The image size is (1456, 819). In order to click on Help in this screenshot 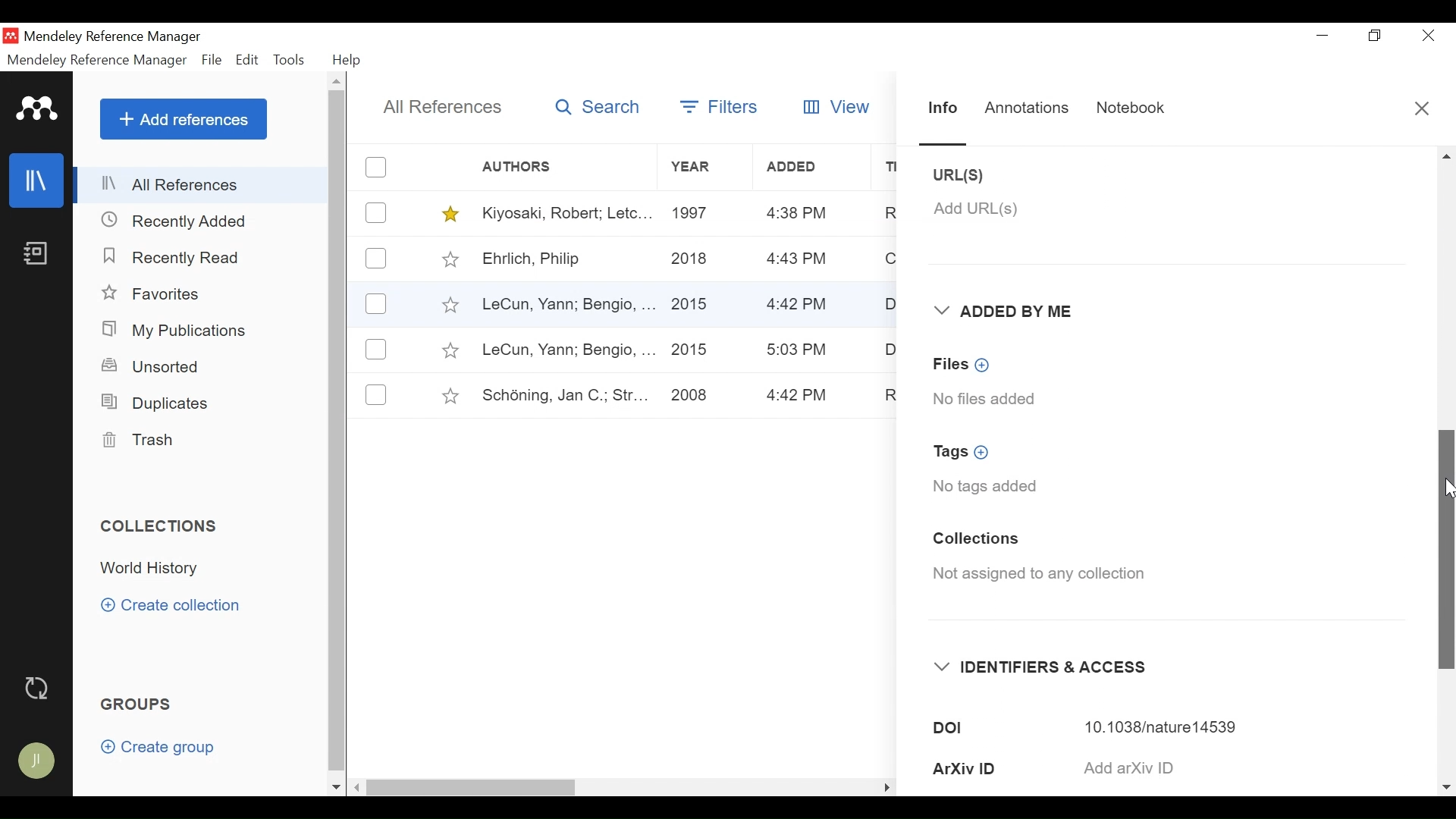, I will do `click(348, 60)`.